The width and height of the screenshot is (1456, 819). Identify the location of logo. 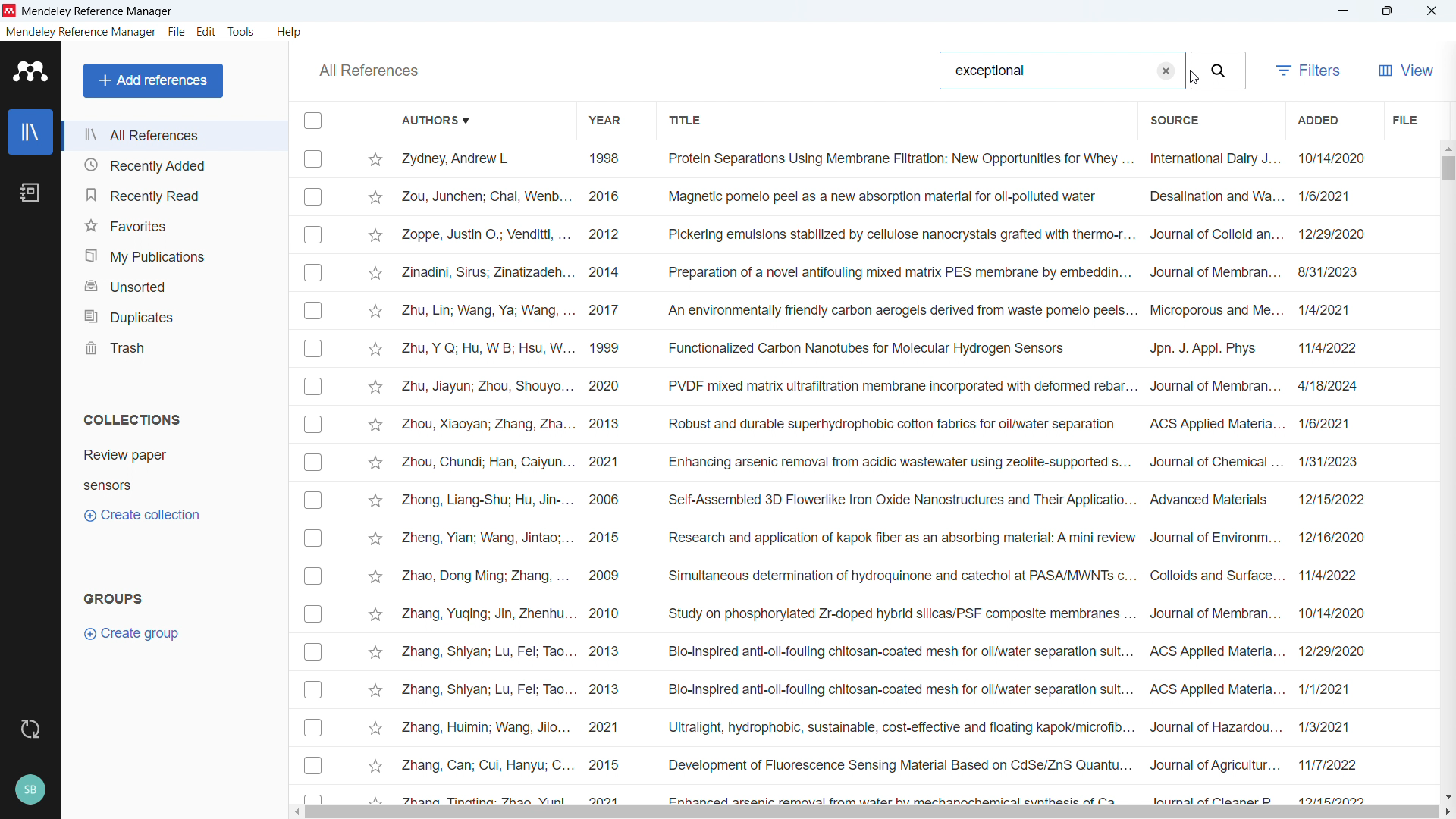
(30, 71).